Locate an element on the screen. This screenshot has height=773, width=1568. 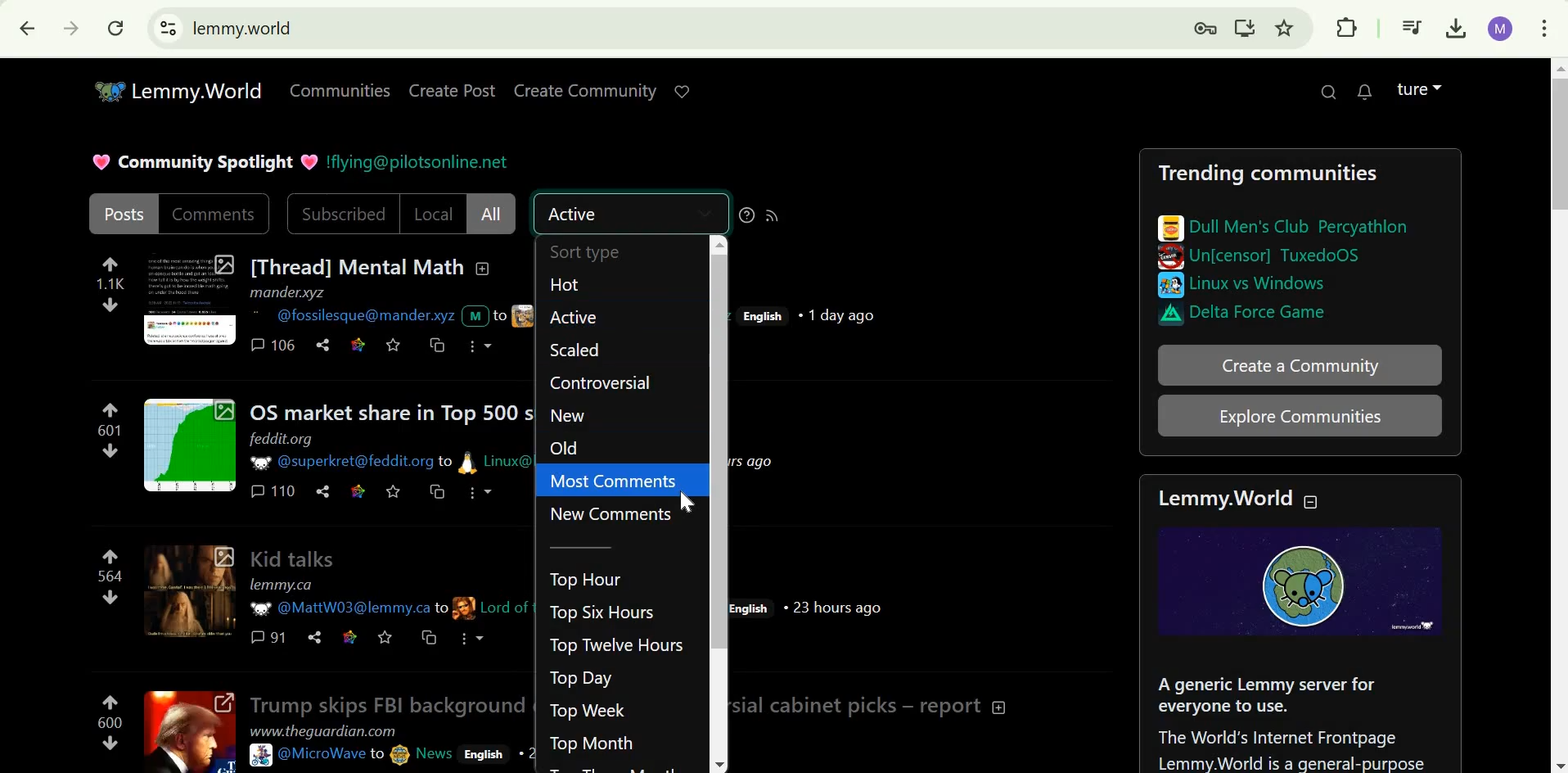
cross-post is located at coordinates (430, 639).